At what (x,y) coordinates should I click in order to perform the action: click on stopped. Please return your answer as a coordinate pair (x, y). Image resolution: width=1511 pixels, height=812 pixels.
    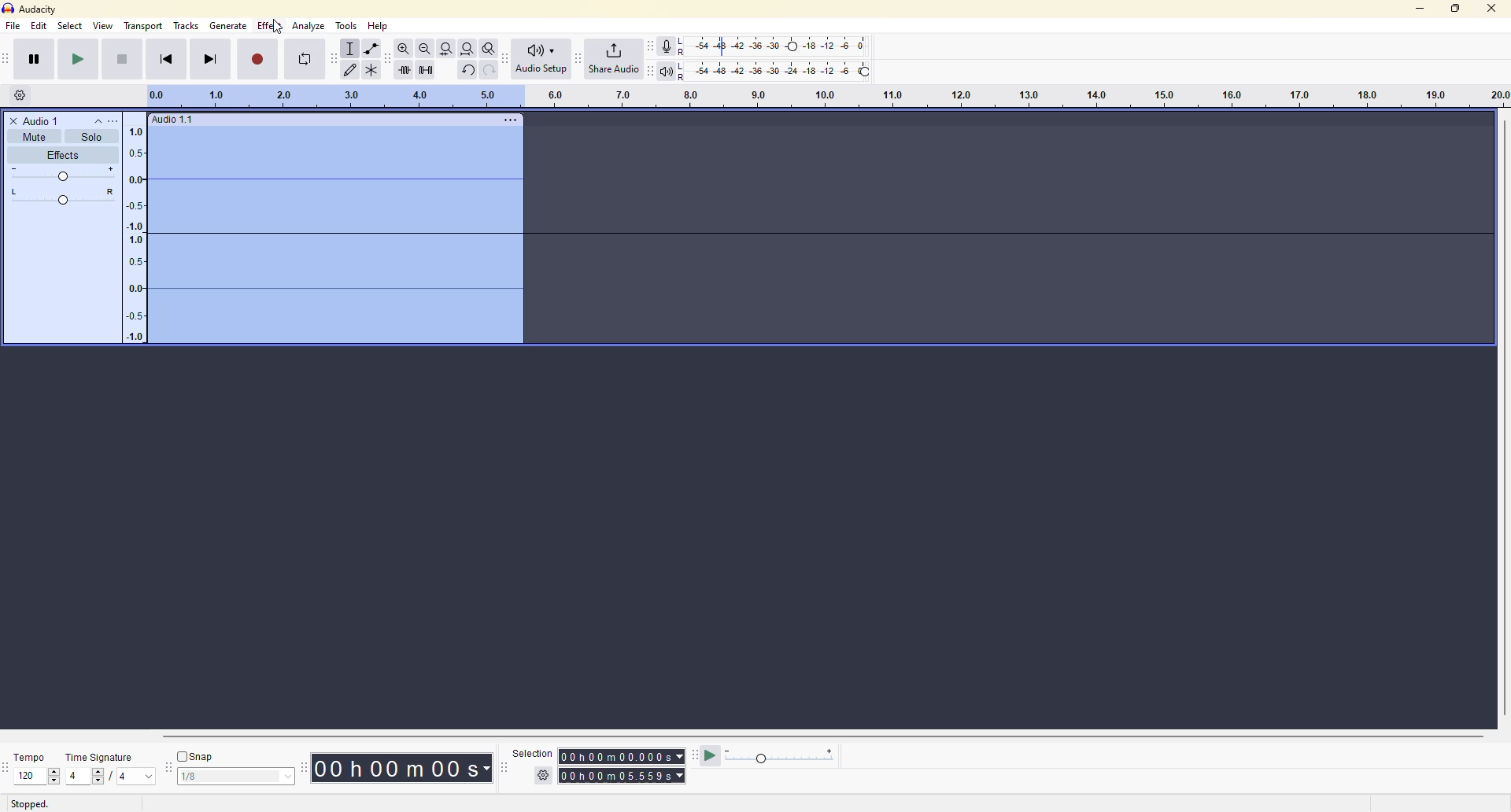
    Looking at the image, I should click on (29, 803).